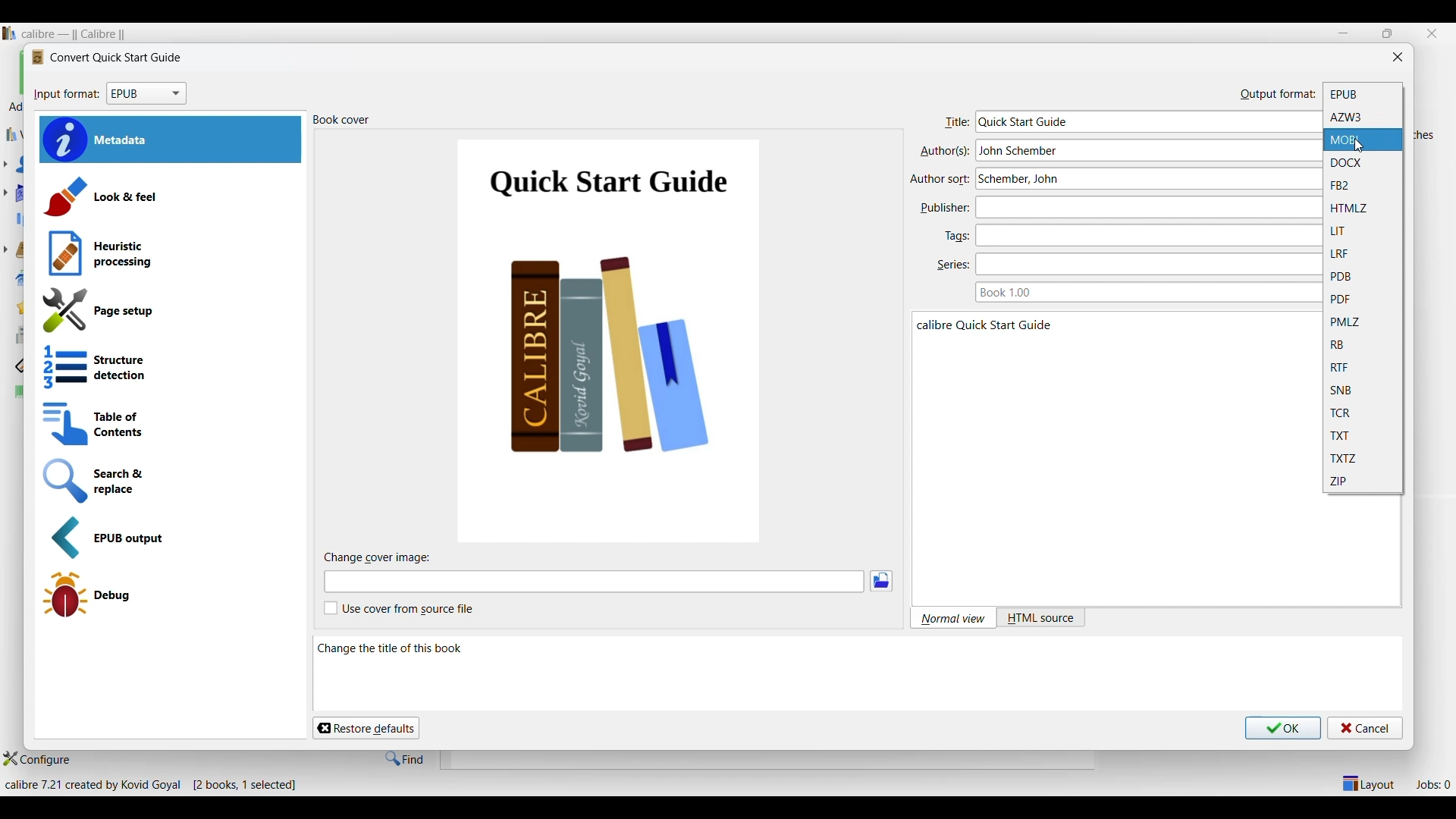 Image resolution: width=1456 pixels, height=819 pixels. Describe the element at coordinates (170, 254) in the screenshot. I see `Heuristic processing` at that location.